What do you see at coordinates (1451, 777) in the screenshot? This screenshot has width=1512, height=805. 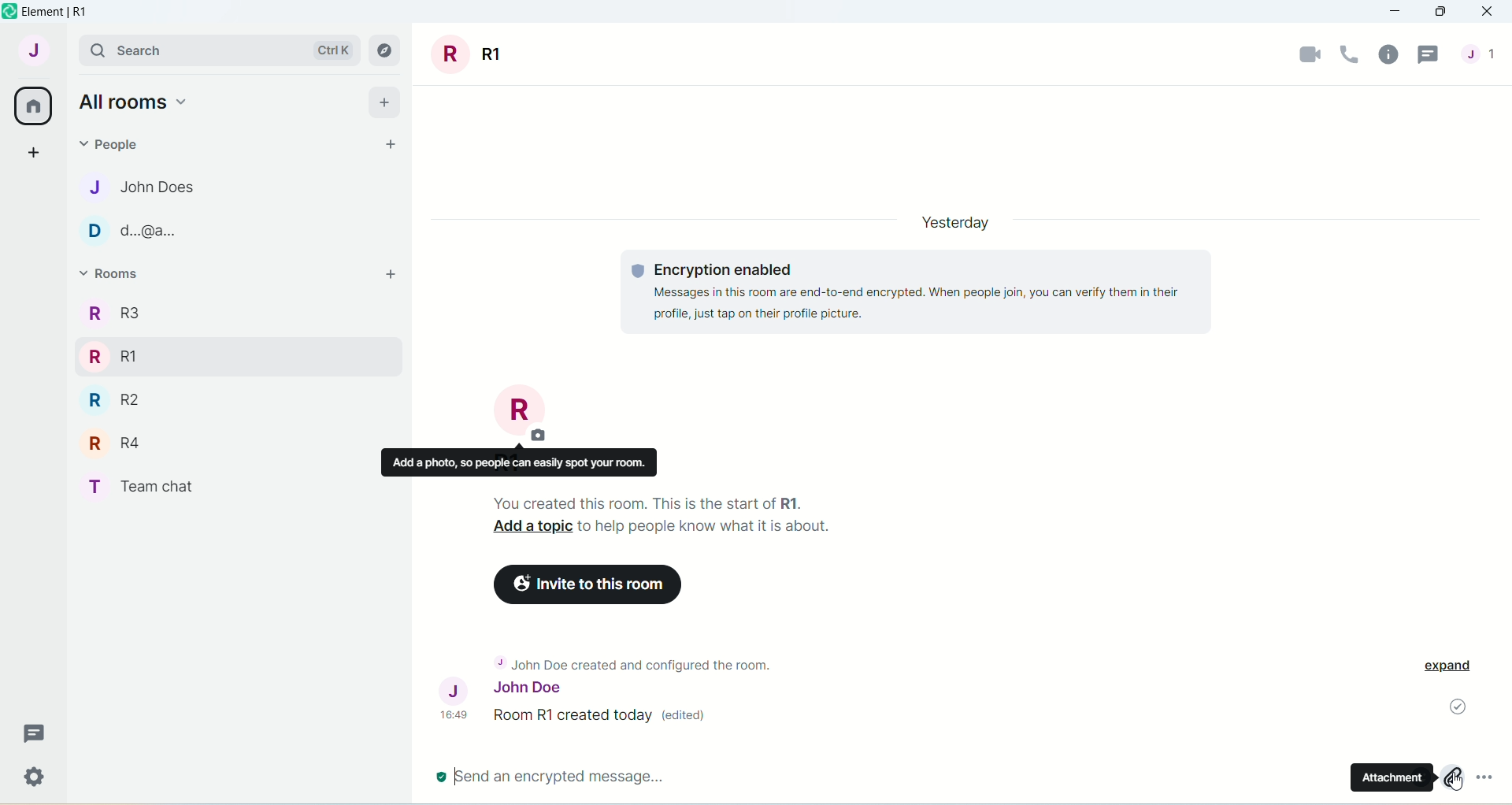 I see `attachment` at bounding box center [1451, 777].